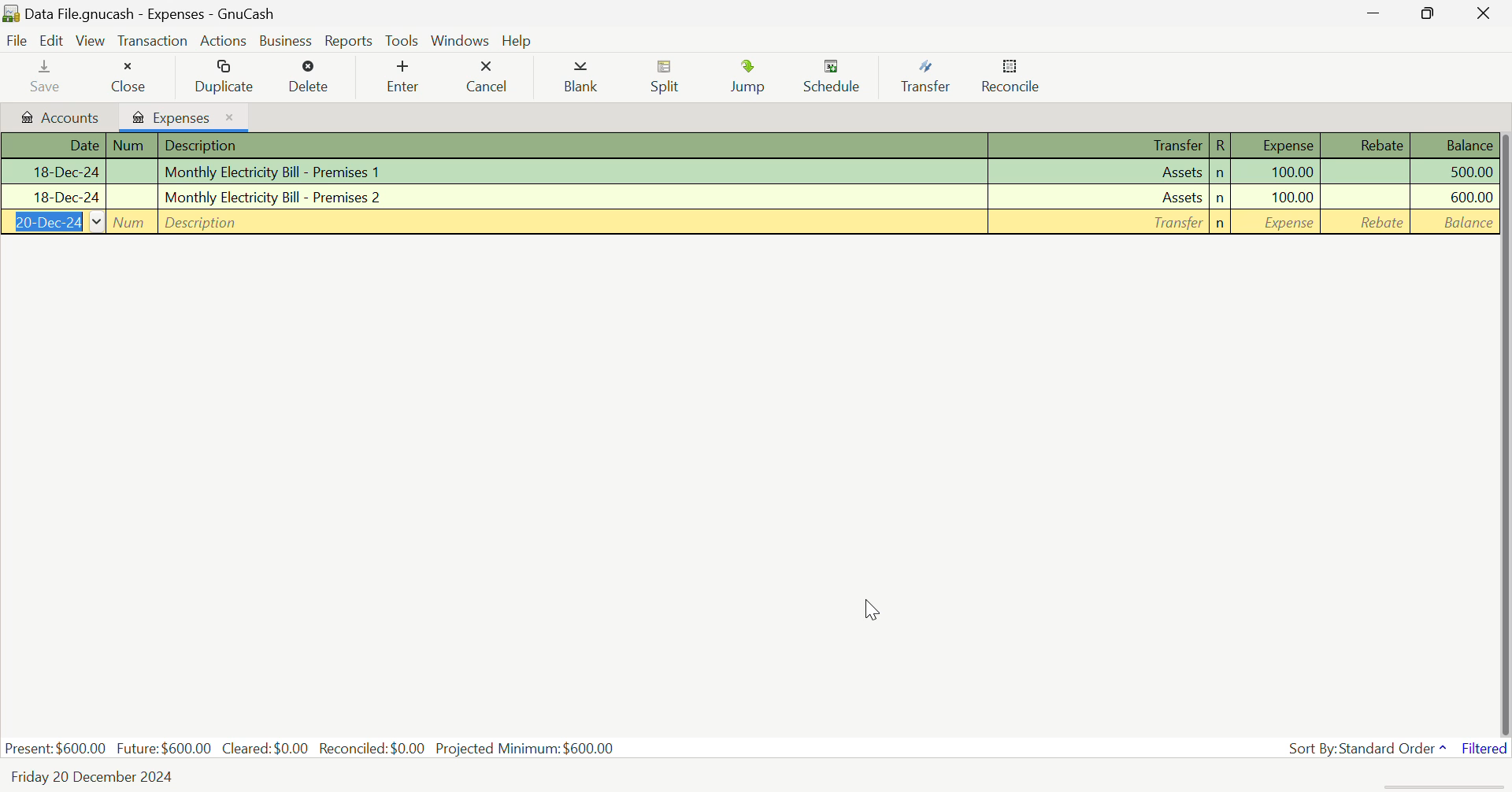  What do you see at coordinates (56, 749) in the screenshot?
I see `Present` at bounding box center [56, 749].